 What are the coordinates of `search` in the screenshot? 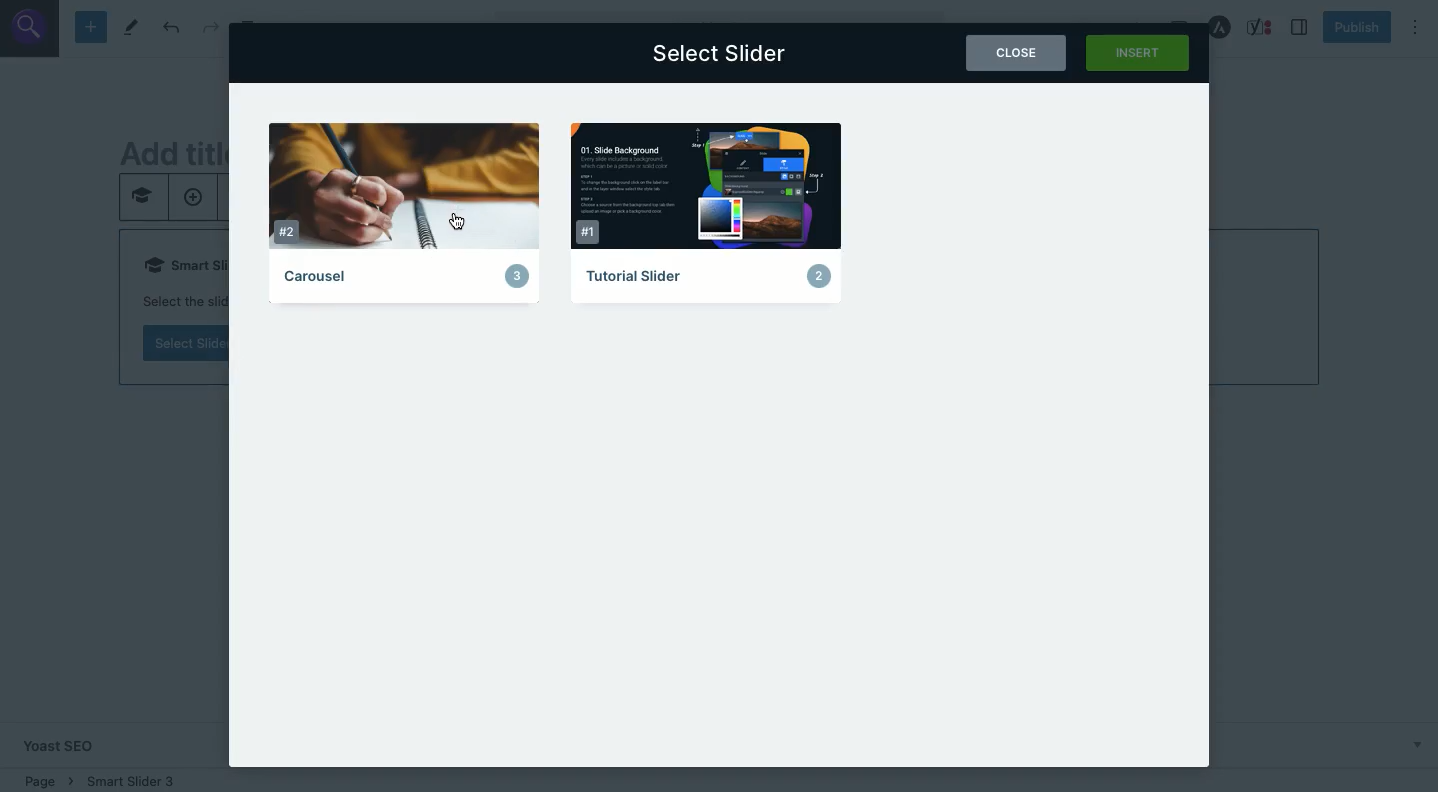 It's located at (31, 27).